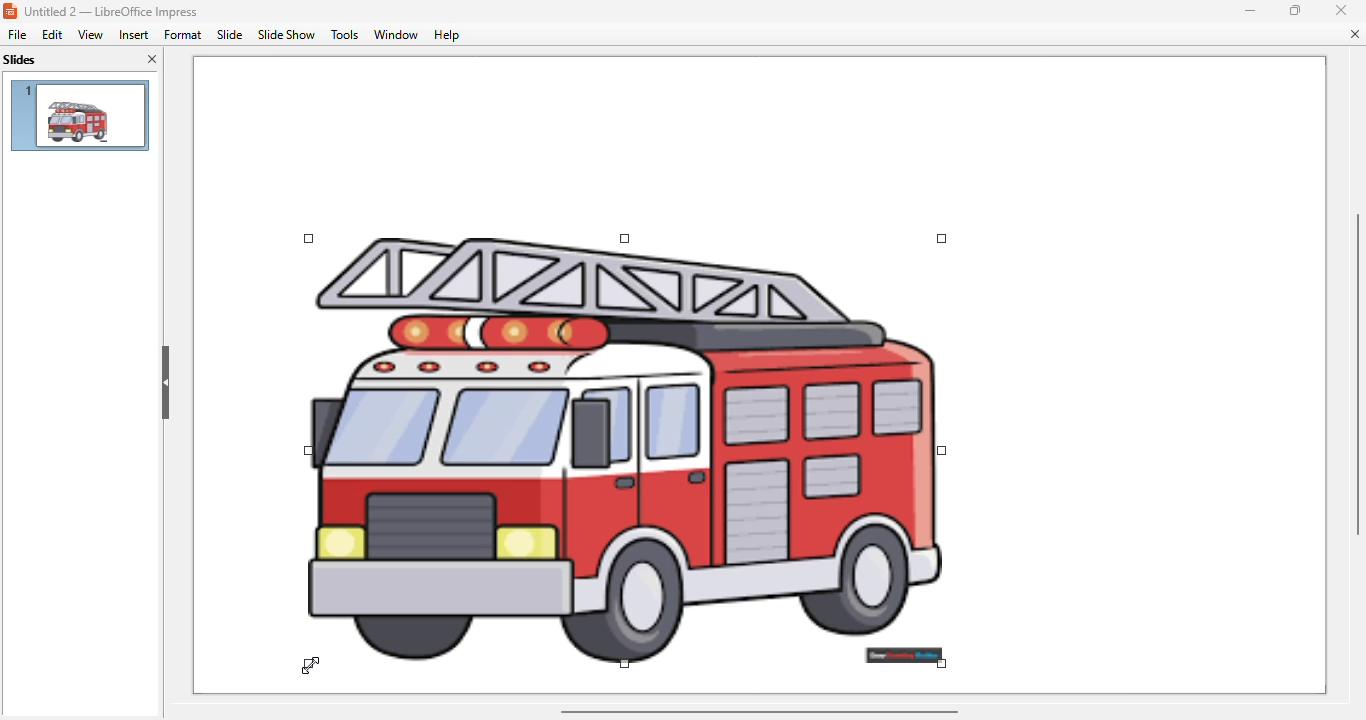  I want to click on corner handles, so click(310, 451).